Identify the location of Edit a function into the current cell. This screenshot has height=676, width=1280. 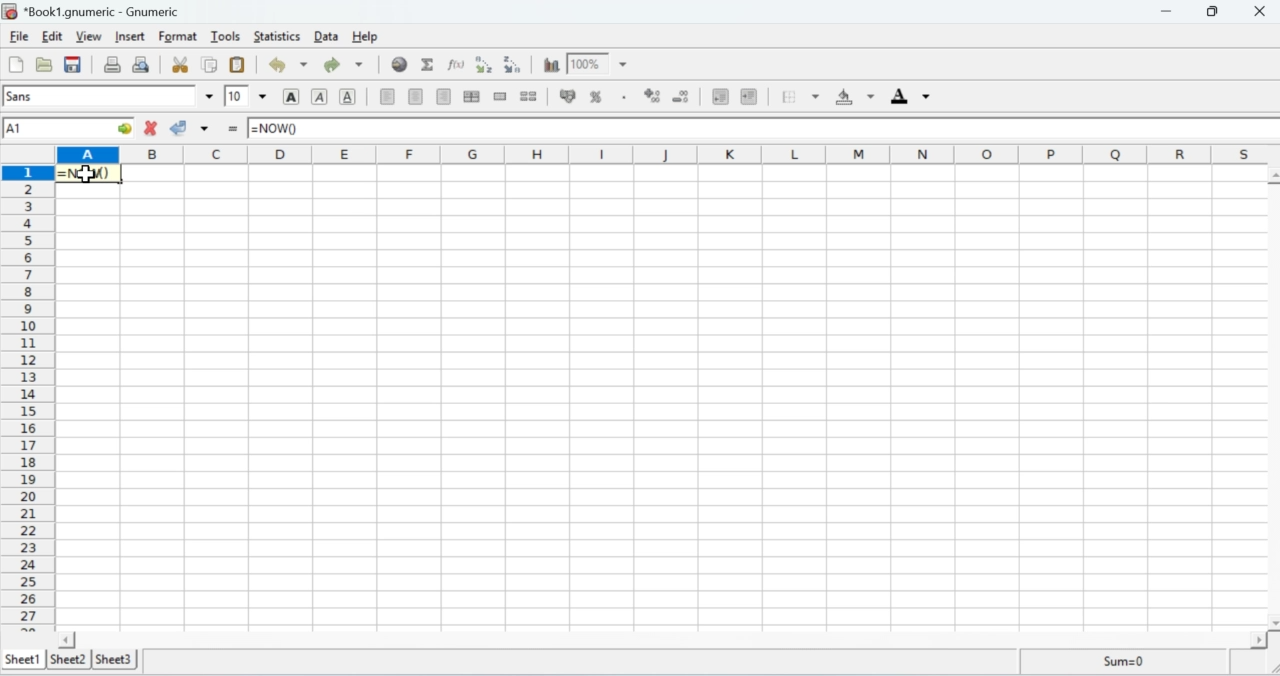
(457, 65).